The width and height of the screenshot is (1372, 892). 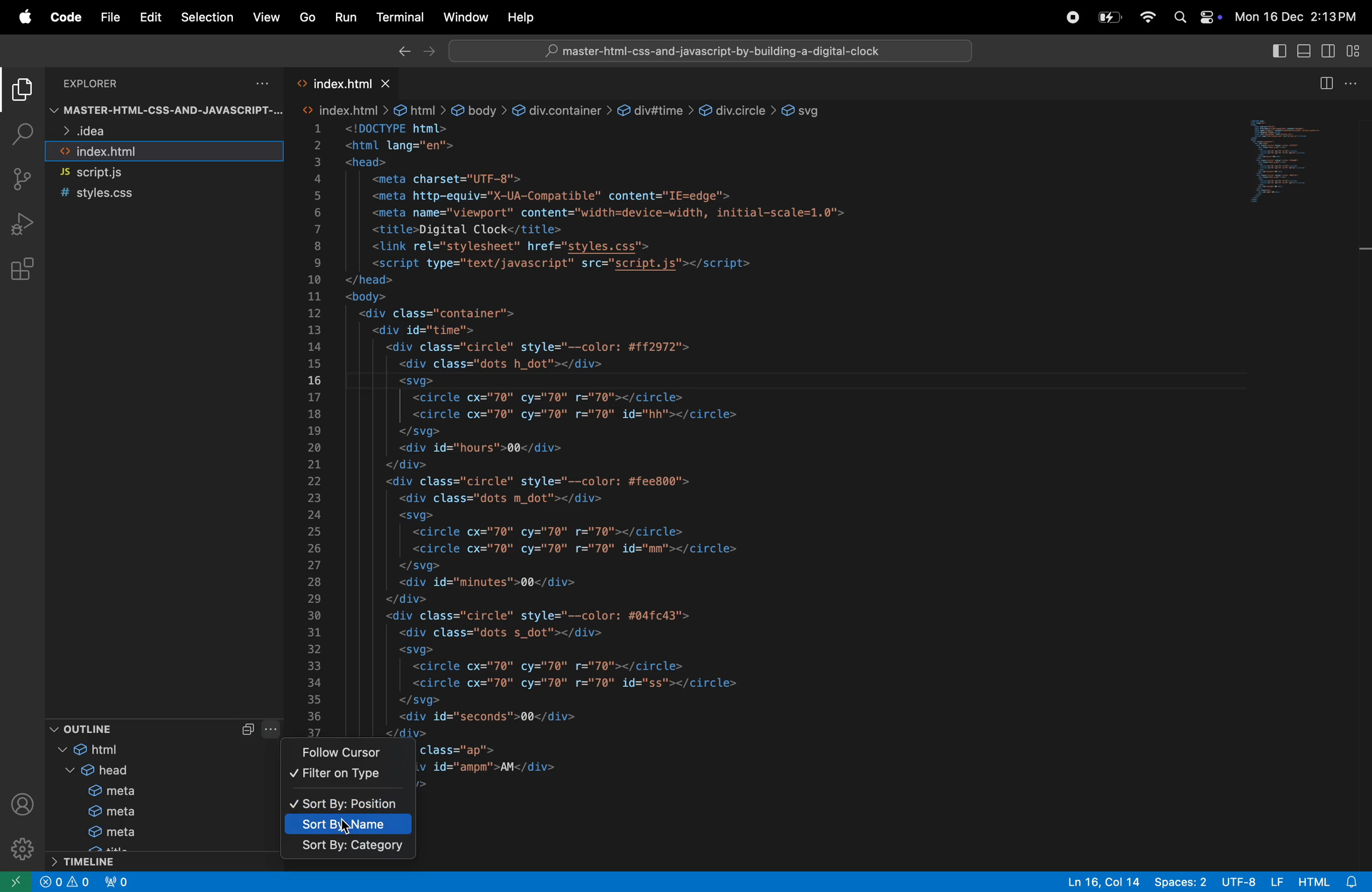 What do you see at coordinates (347, 825) in the screenshot?
I see `Cursor` at bounding box center [347, 825].